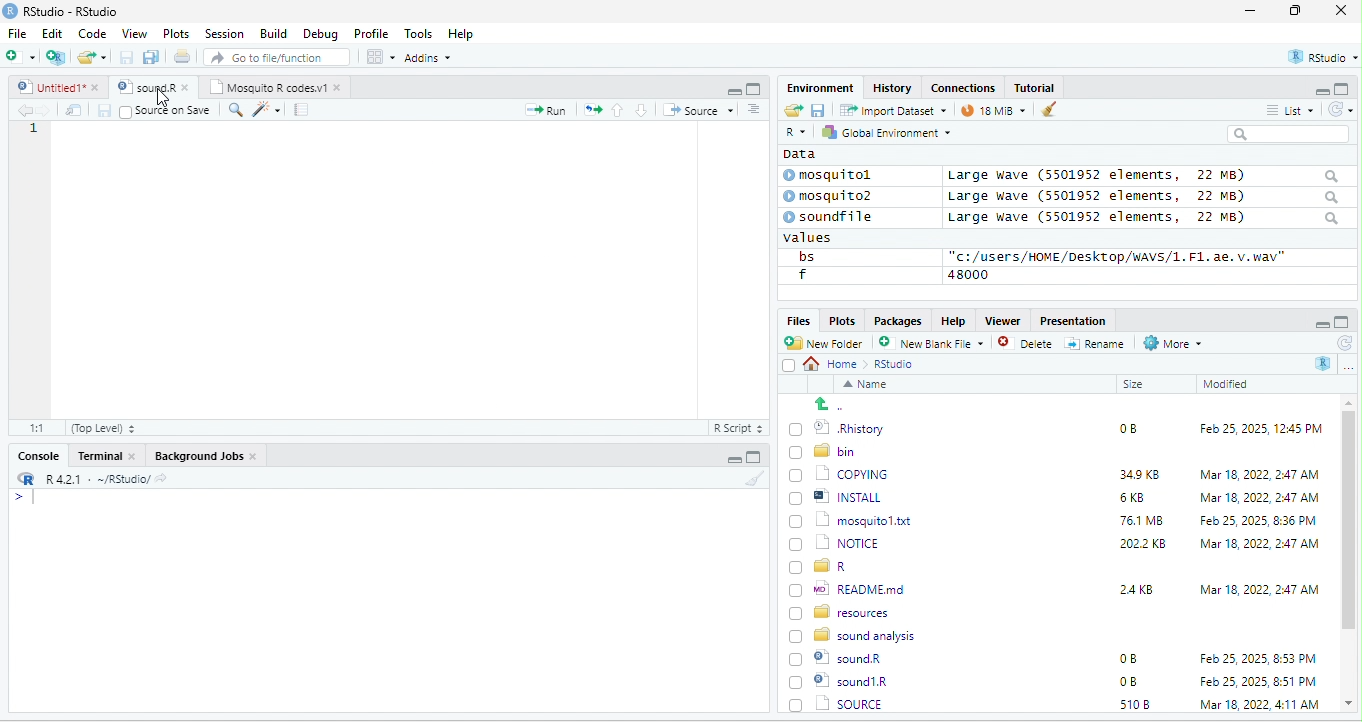  Describe the element at coordinates (1144, 219) in the screenshot. I see `Large wave (5501952 elements, 22 MB)` at that location.